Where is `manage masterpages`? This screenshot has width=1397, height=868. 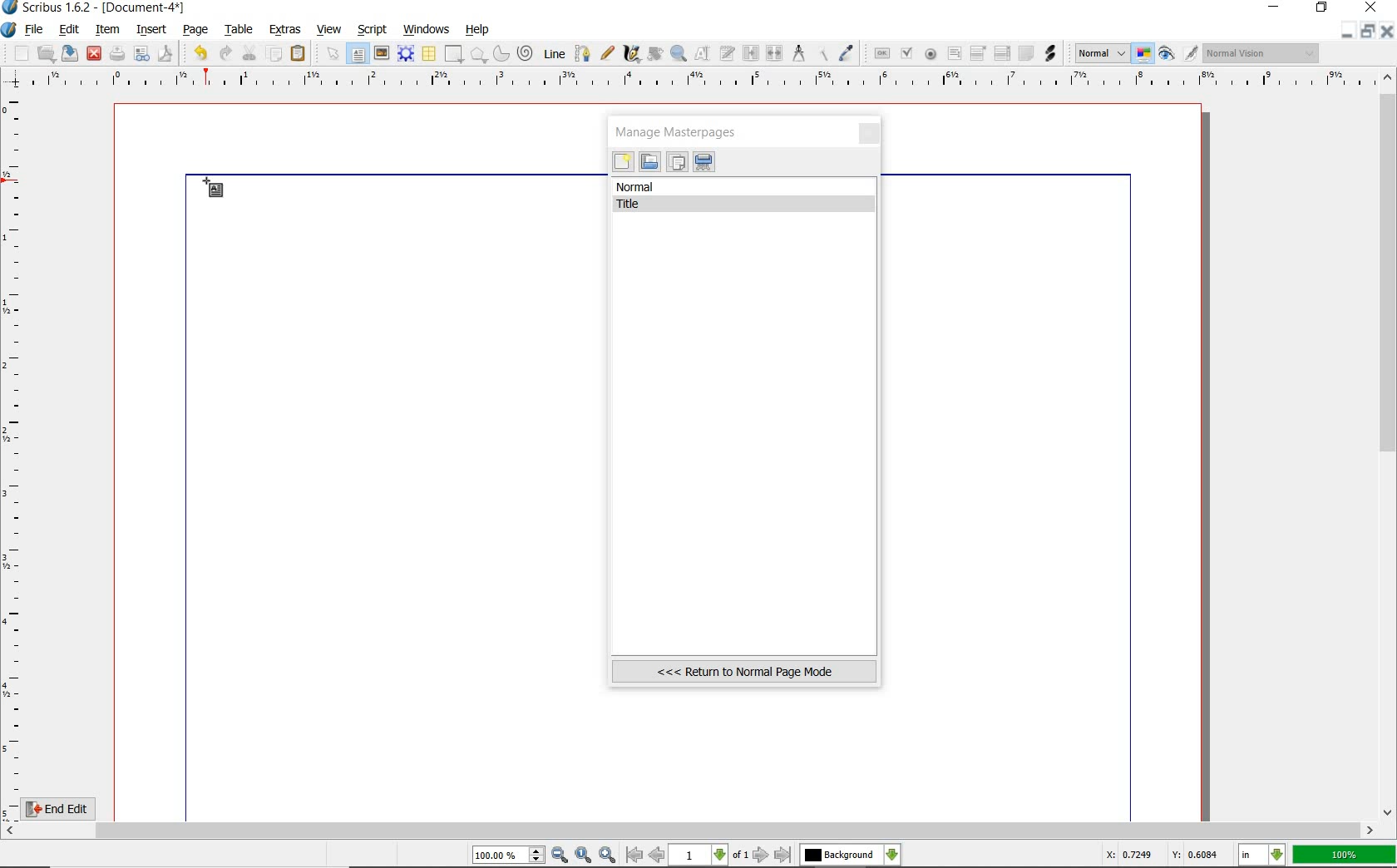 manage masterpages is located at coordinates (681, 131).